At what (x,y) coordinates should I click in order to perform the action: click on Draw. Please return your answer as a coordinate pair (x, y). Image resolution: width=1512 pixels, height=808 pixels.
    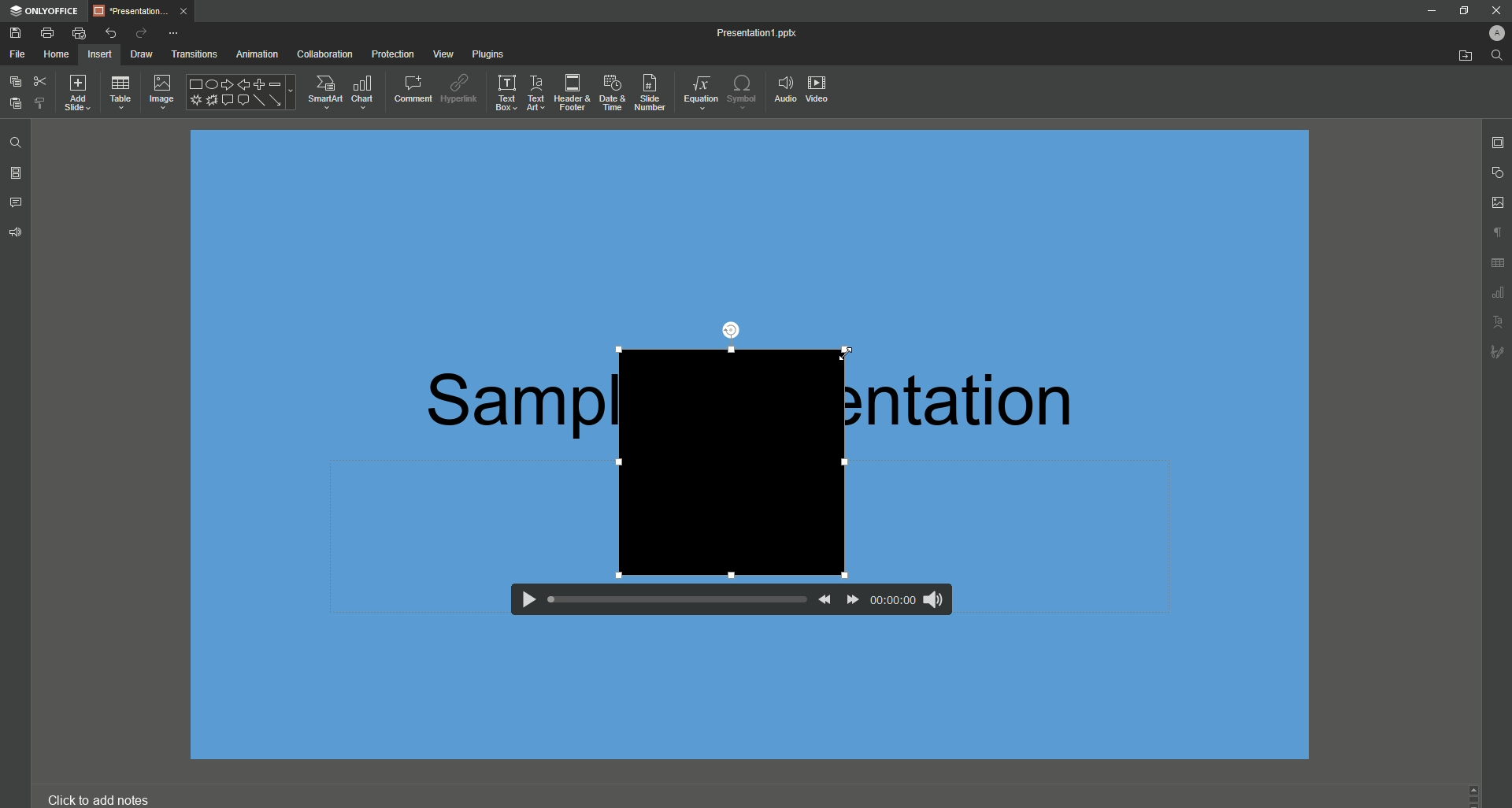
    Looking at the image, I should click on (143, 54).